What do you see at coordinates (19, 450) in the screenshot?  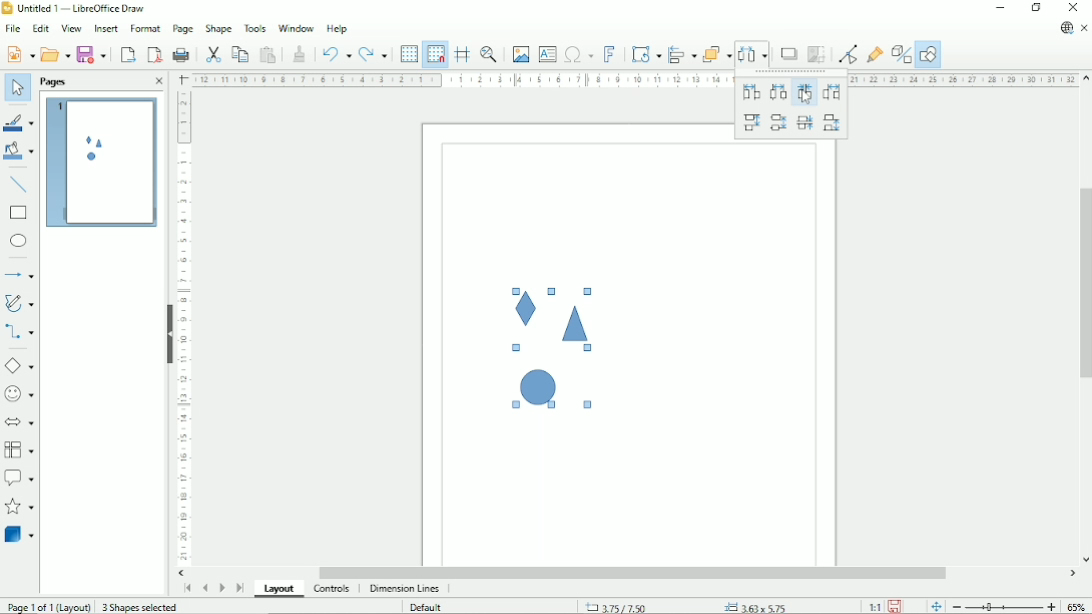 I see `Flow chart` at bounding box center [19, 450].